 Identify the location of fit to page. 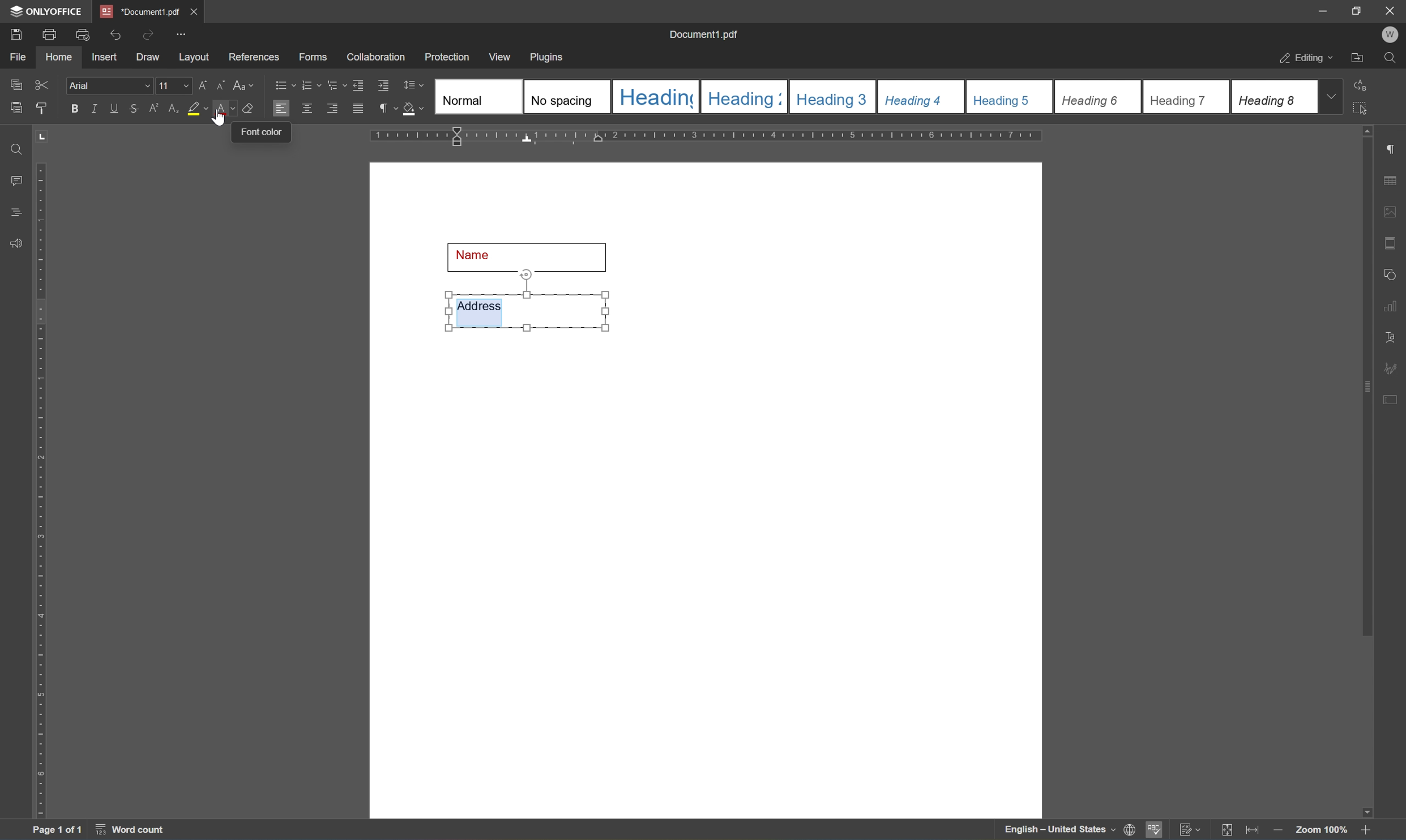
(1228, 830).